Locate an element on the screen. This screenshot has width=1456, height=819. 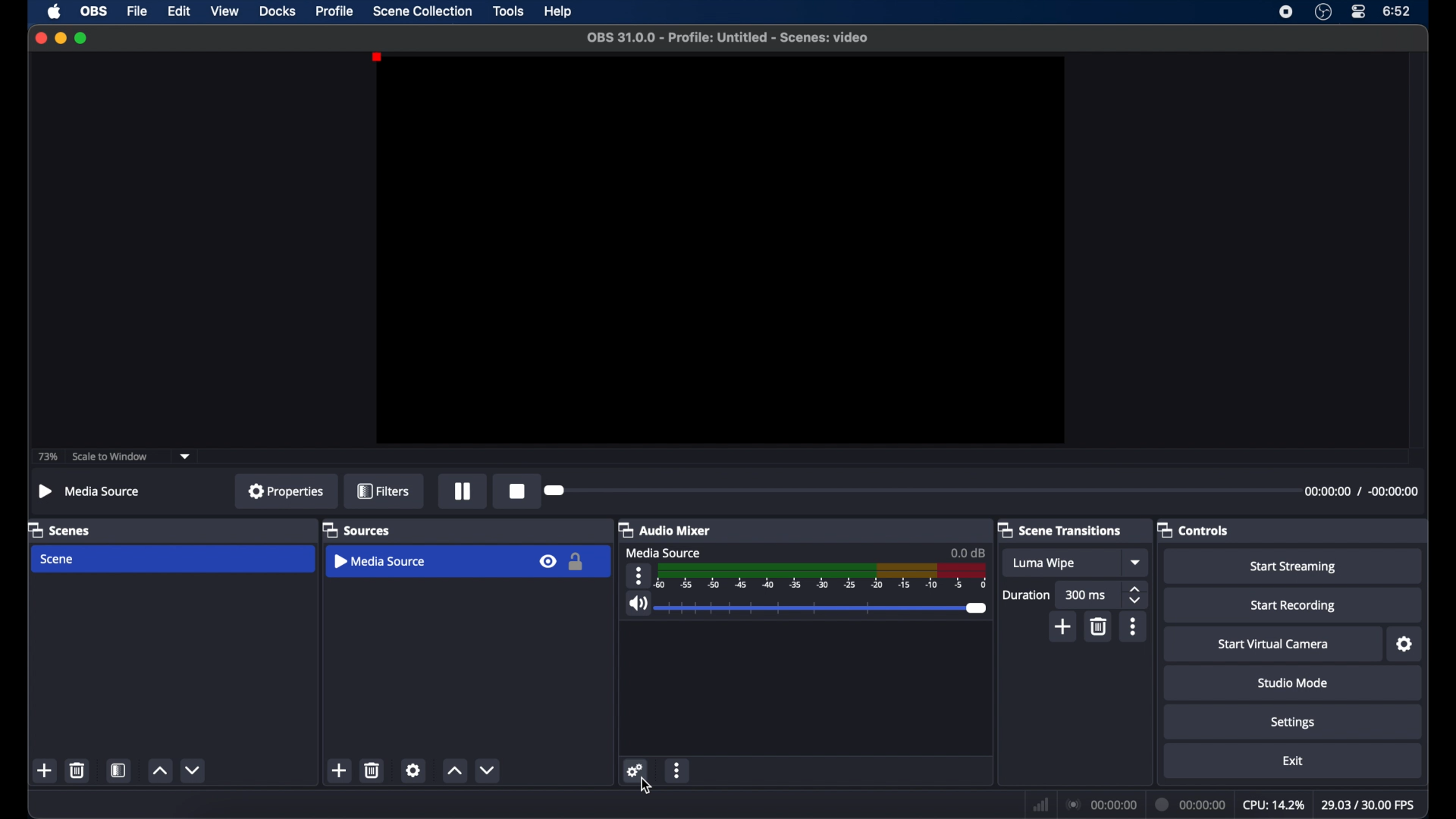
view is located at coordinates (224, 10).